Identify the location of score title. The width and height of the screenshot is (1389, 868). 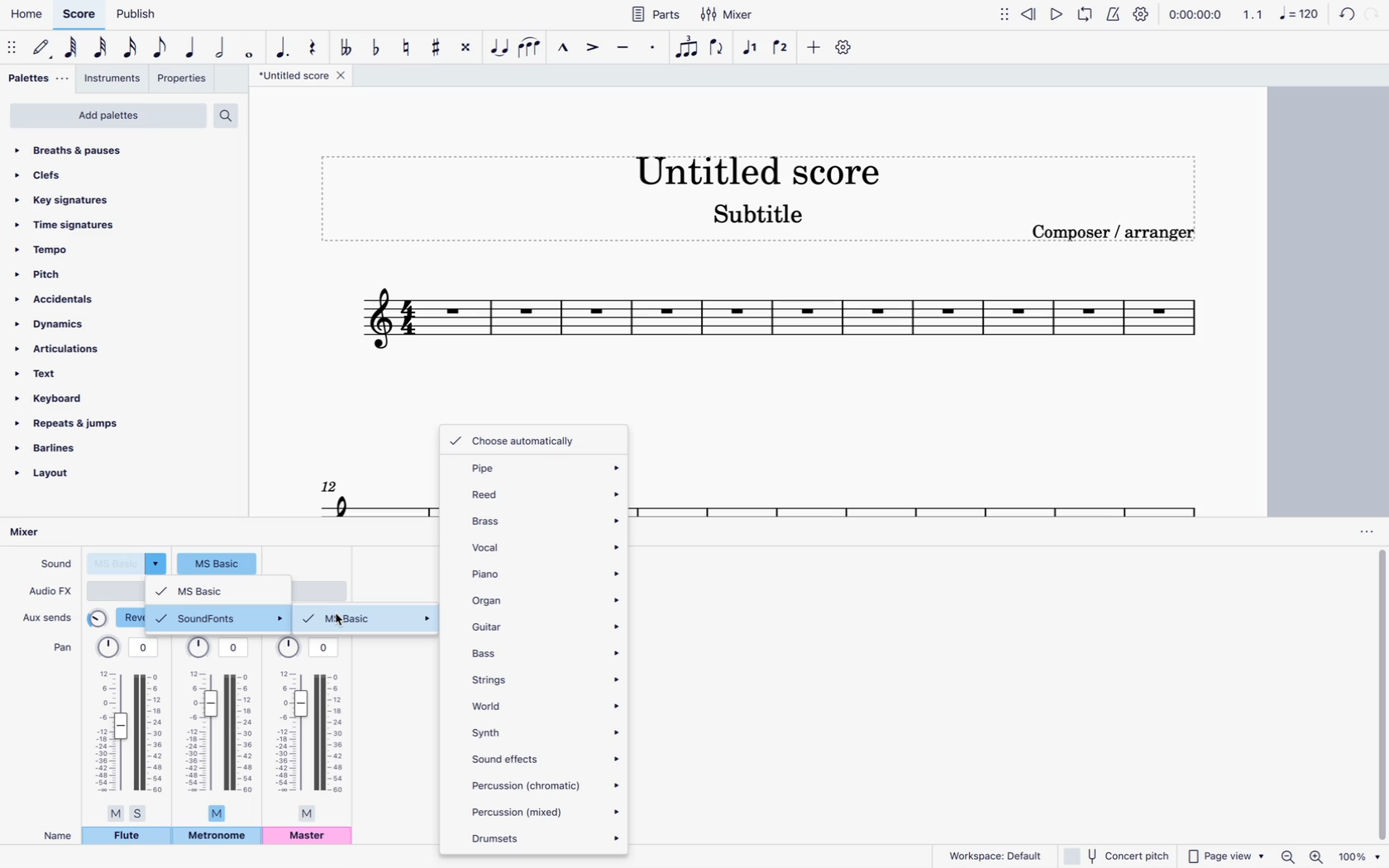
(756, 167).